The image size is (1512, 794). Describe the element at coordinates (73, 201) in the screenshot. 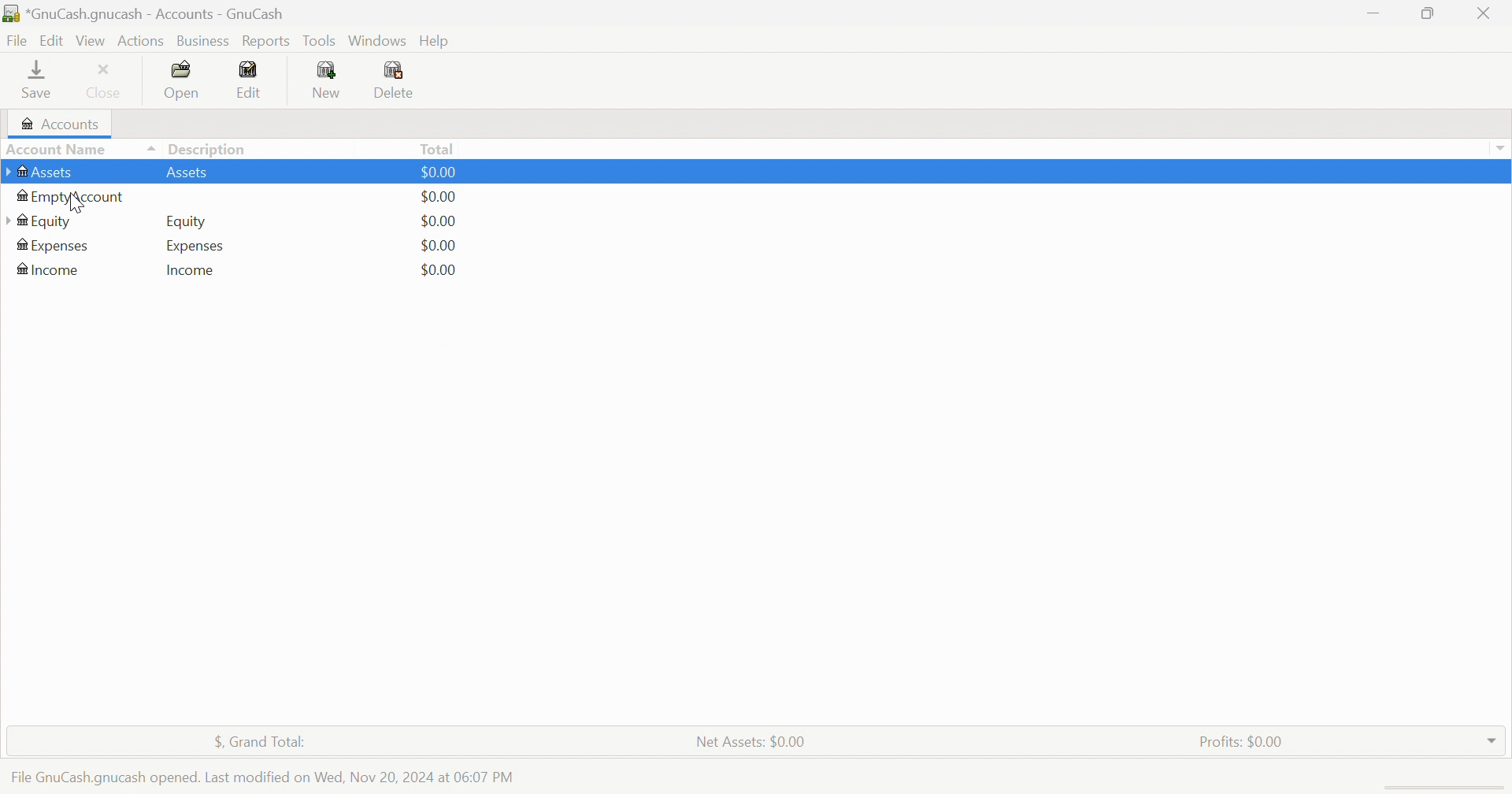

I see `cursor` at that location.